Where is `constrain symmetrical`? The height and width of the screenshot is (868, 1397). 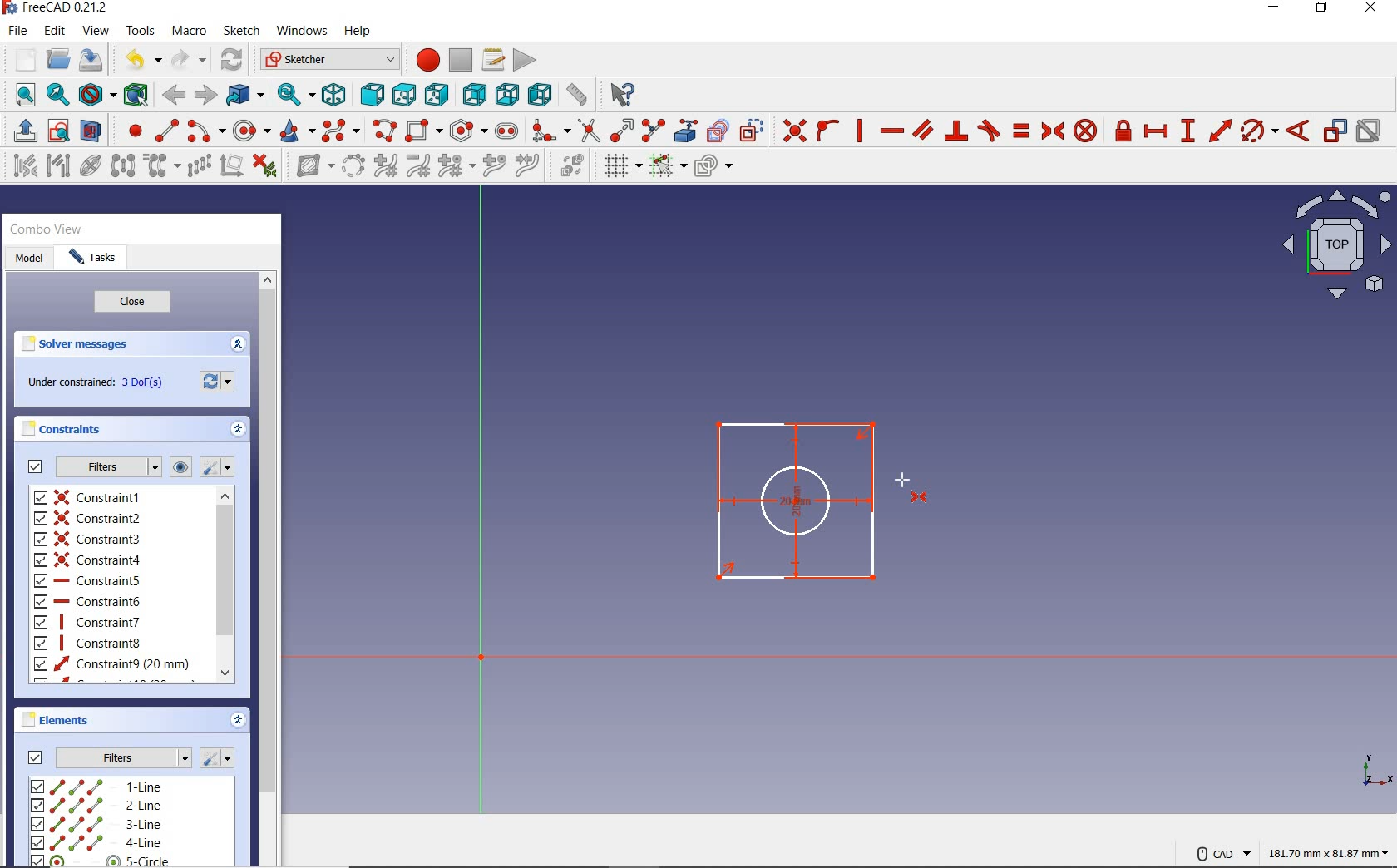 constrain symmetrical is located at coordinates (1054, 131).